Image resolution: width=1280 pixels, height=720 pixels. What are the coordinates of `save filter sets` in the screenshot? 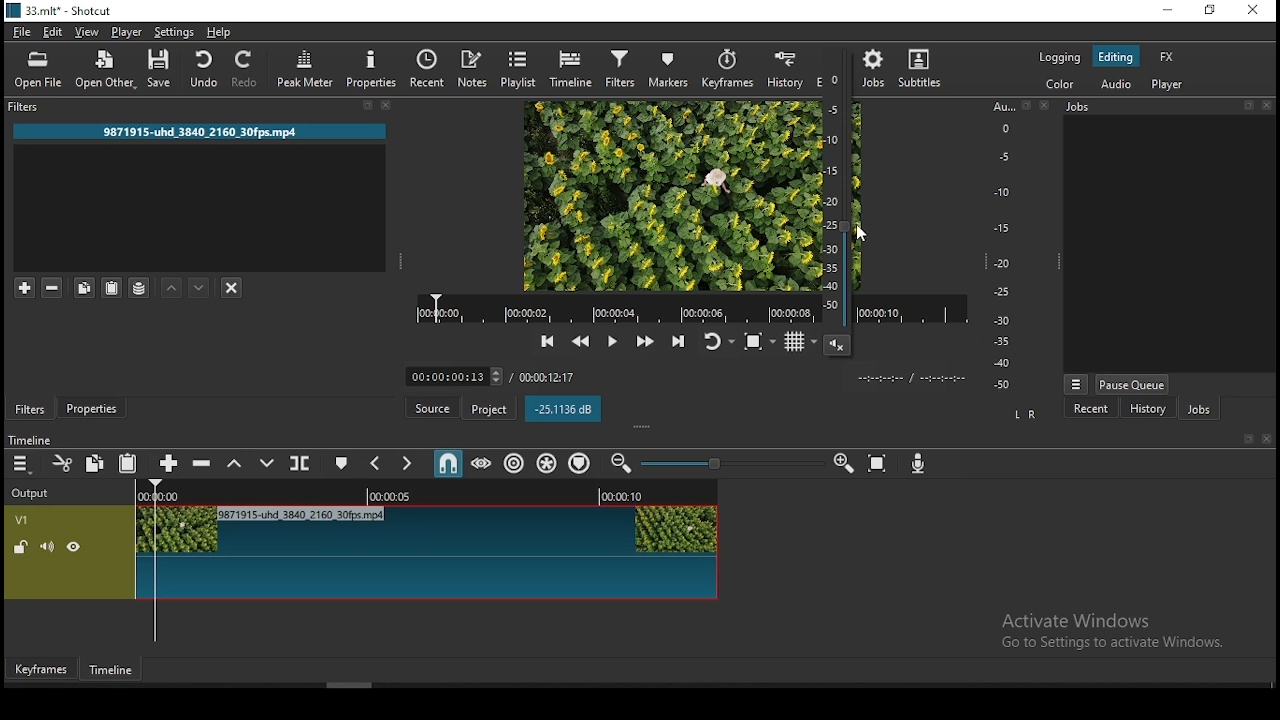 It's located at (141, 290).